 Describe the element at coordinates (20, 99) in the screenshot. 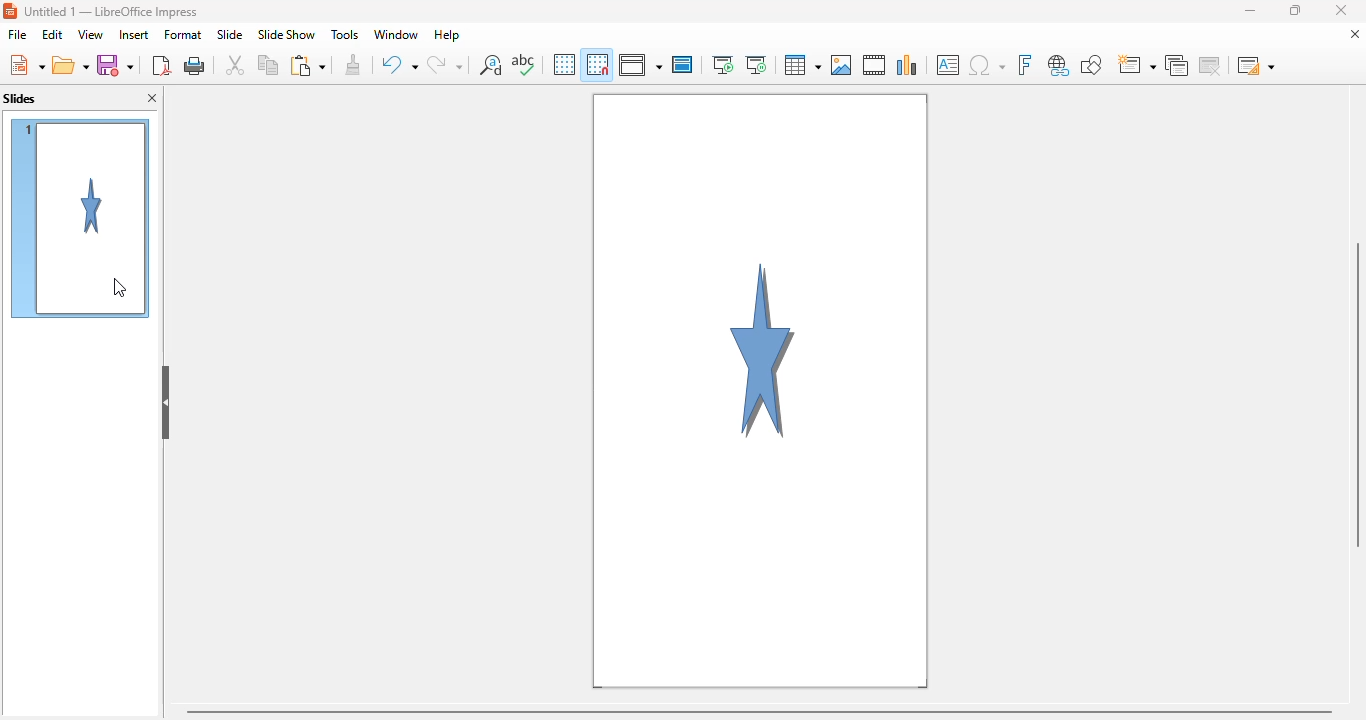

I see `slides` at that location.